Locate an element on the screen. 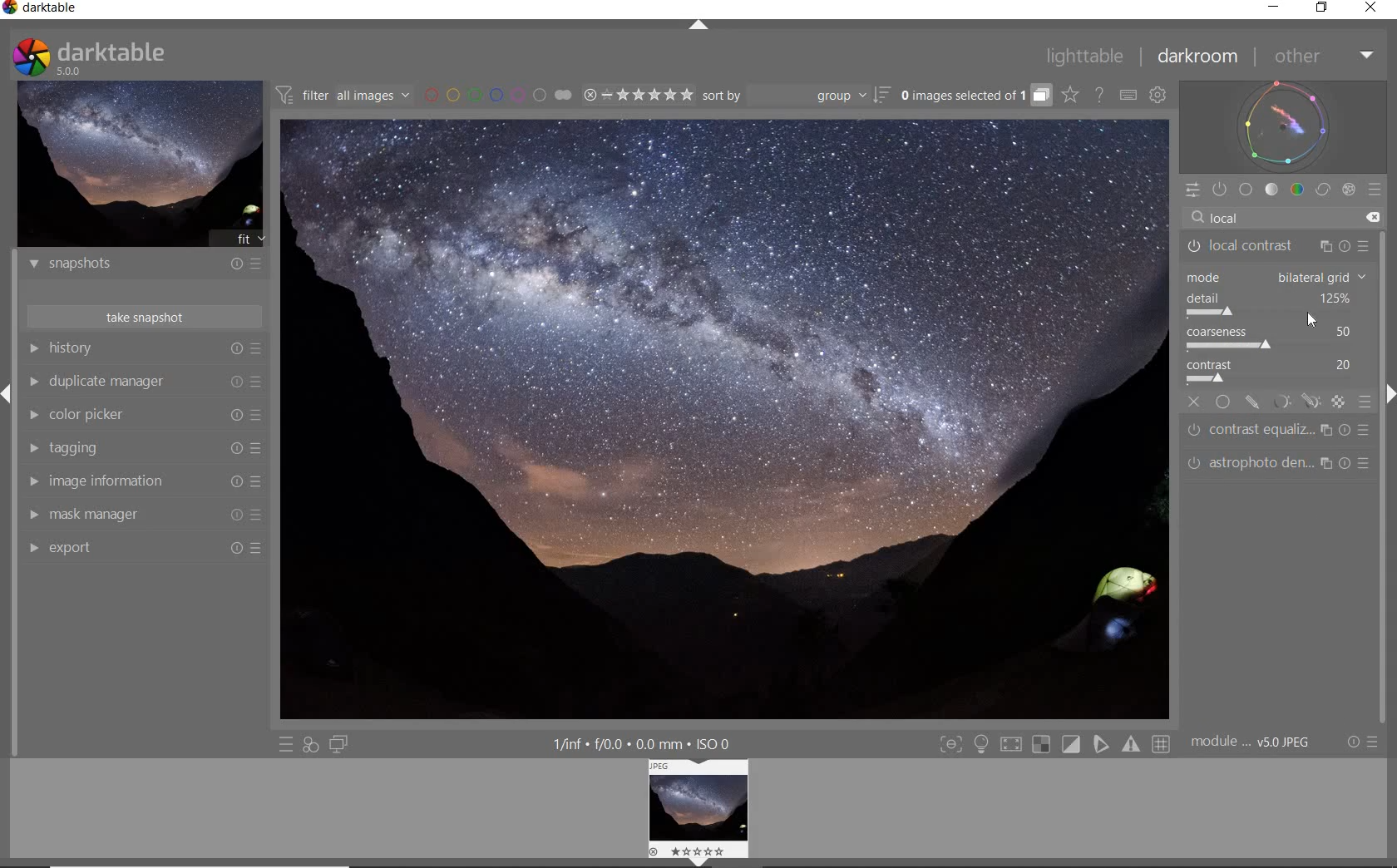  sort is located at coordinates (881, 99).